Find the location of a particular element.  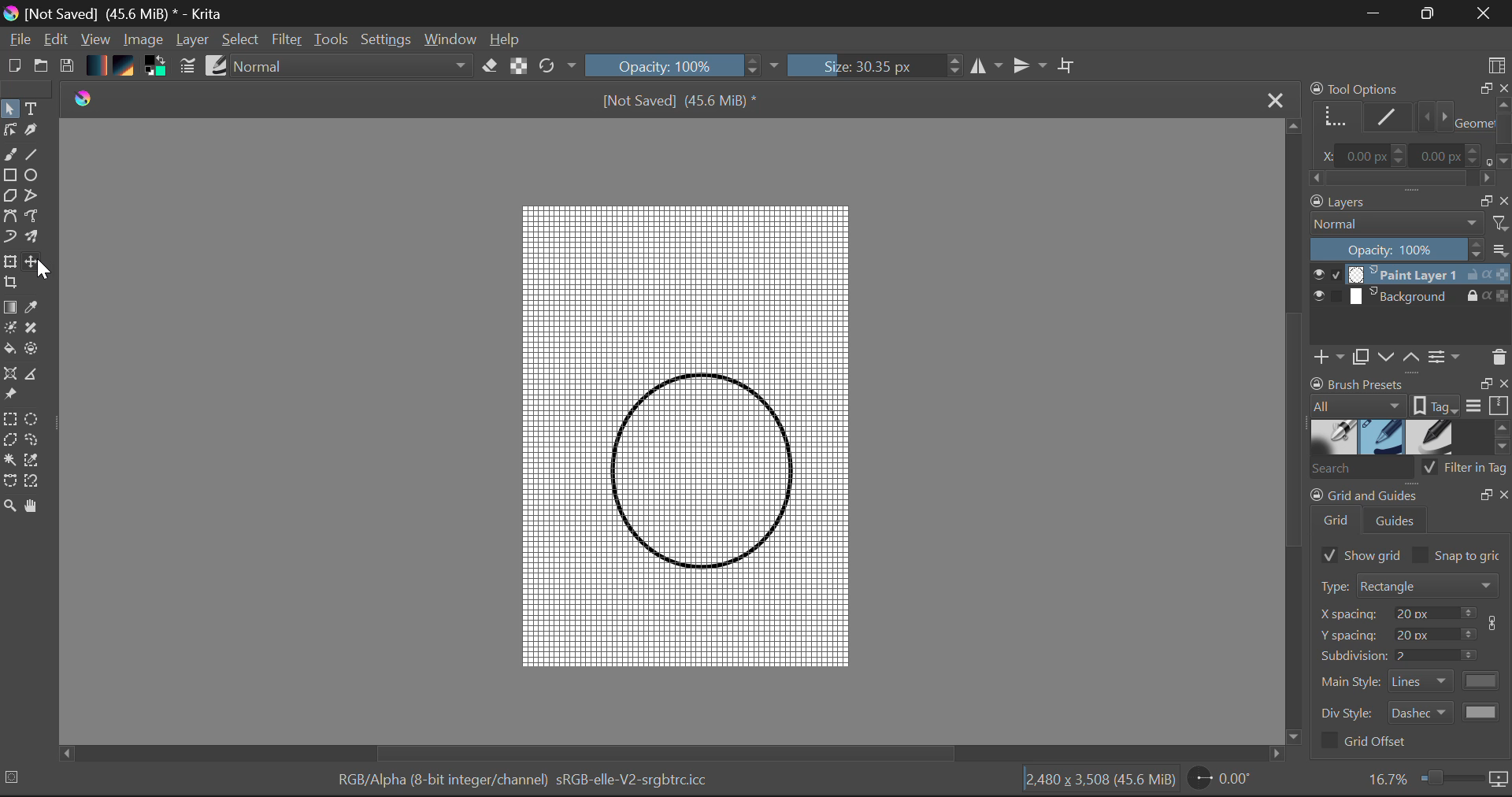

Close is located at coordinates (1487, 13).